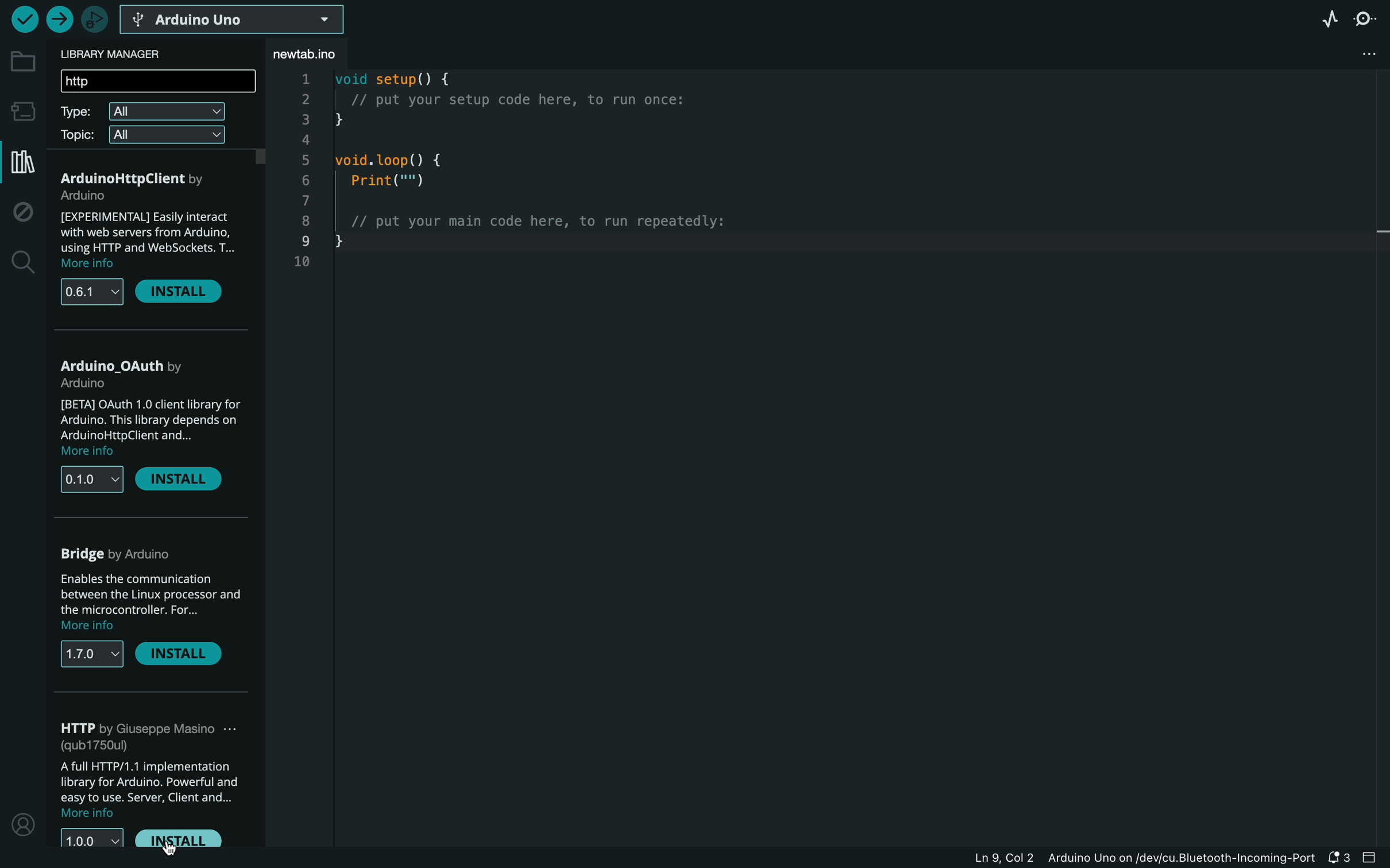  I want to click on install, so click(188, 838).